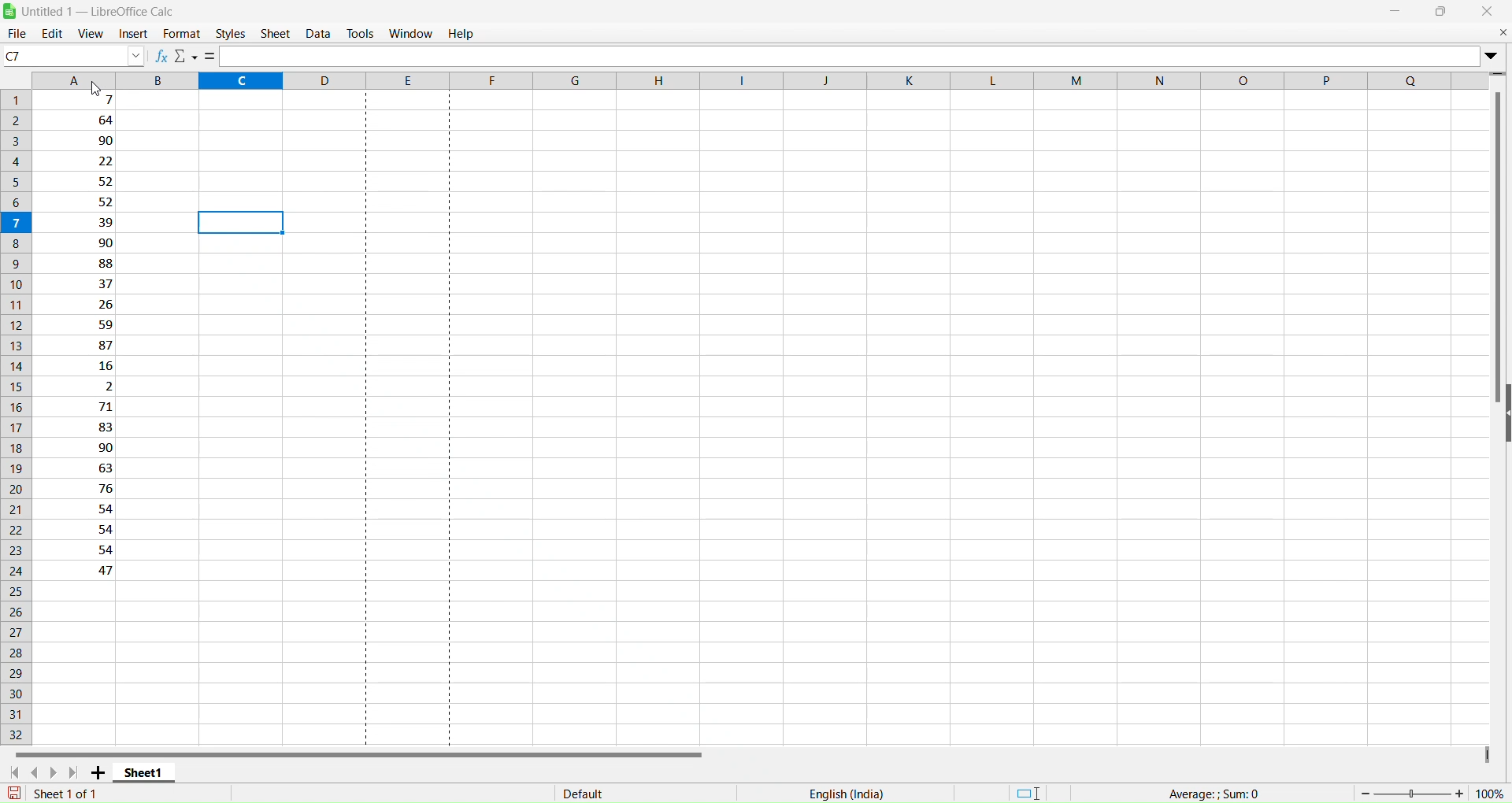 The height and width of the screenshot is (803, 1512). What do you see at coordinates (15, 795) in the screenshot?
I see `Save` at bounding box center [15, 795].